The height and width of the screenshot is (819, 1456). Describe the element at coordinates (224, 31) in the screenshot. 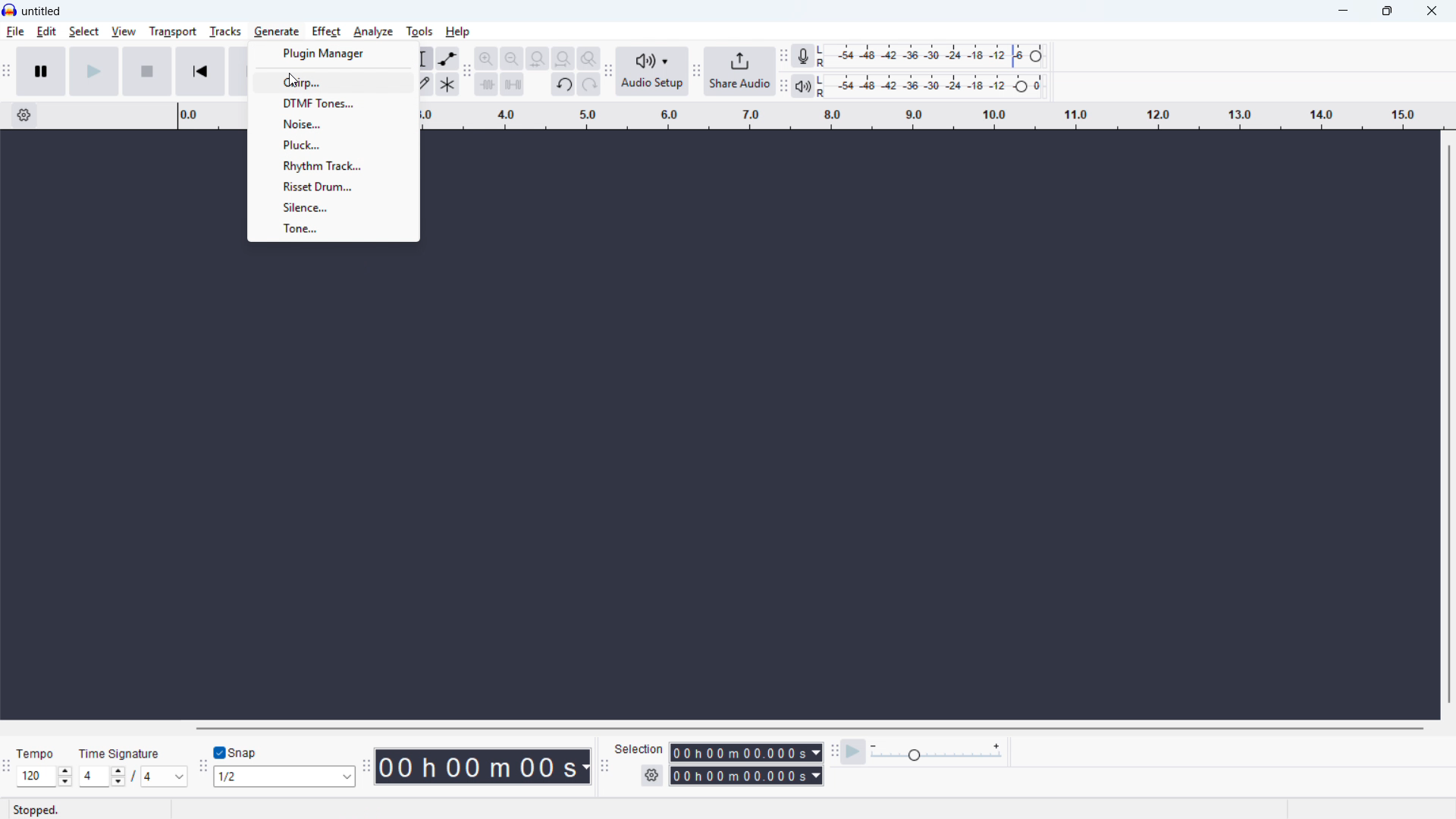

I see `Tracks ` at that location.